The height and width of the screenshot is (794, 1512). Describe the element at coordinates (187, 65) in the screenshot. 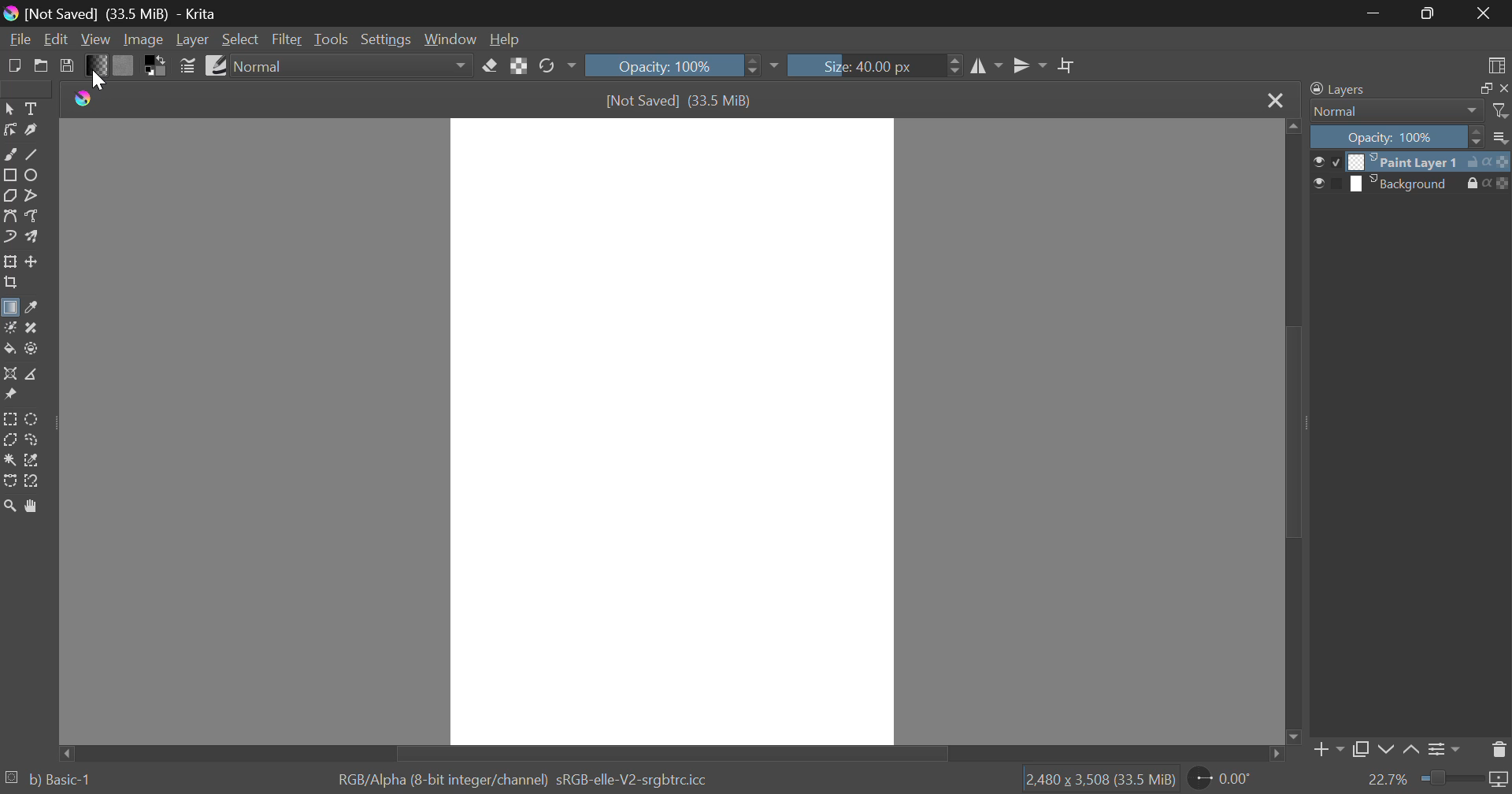

I see `Brush Settings` at that location.